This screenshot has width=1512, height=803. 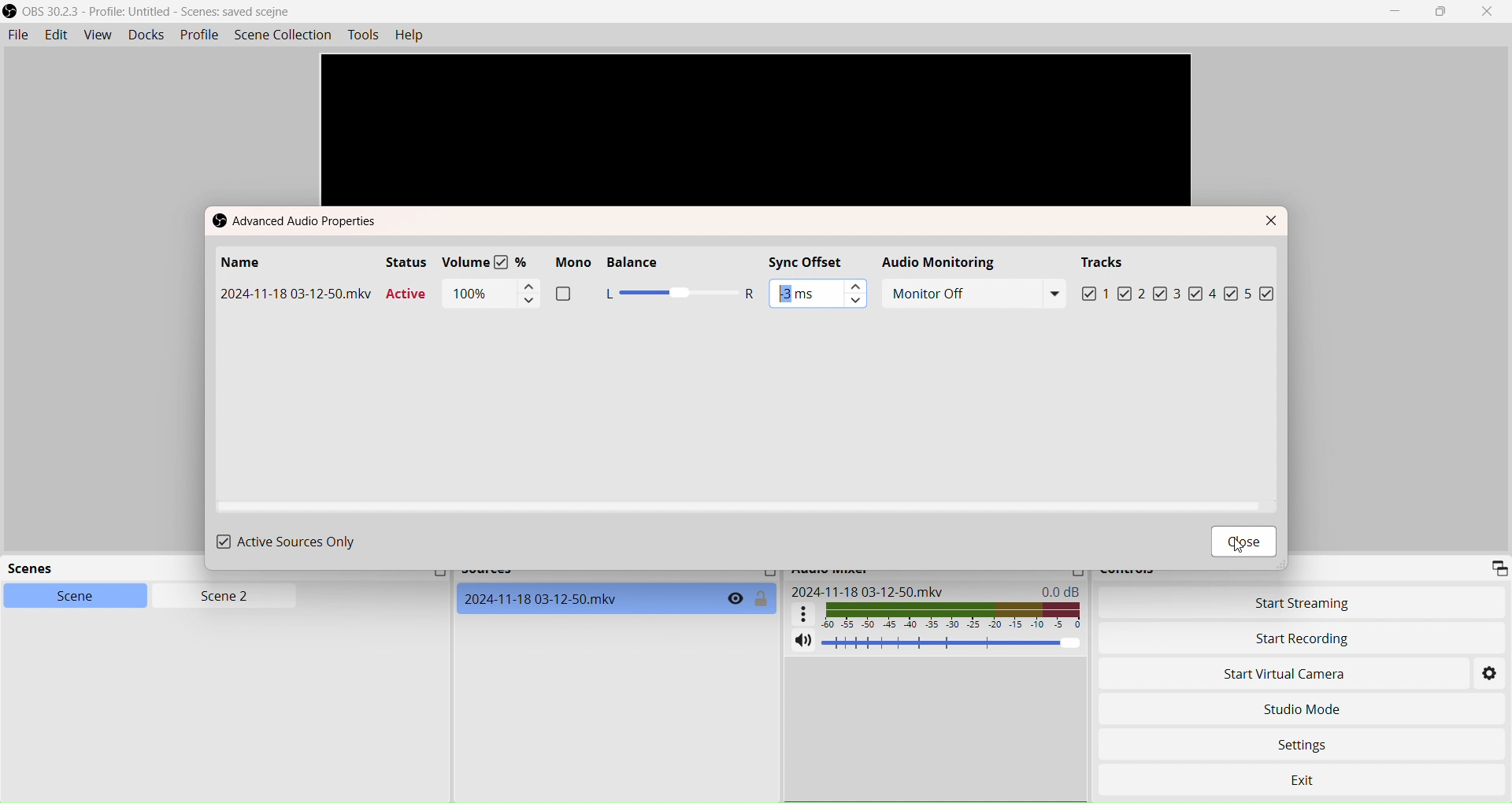 I want to click on Name, so click(x=242, y=264).